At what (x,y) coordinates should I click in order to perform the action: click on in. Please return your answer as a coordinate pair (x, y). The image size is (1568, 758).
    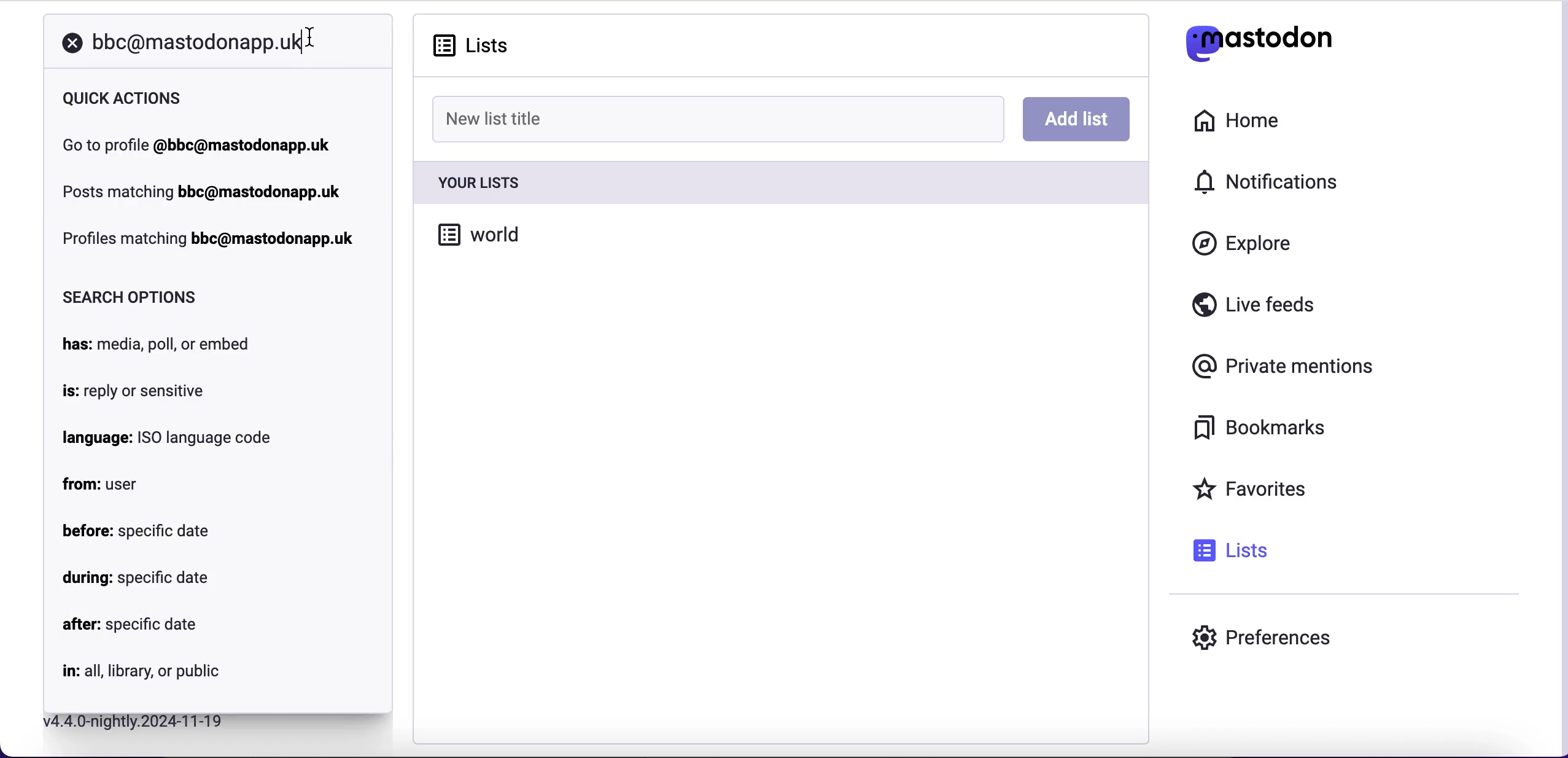
    Looking at the image, I should click on (139, 673).